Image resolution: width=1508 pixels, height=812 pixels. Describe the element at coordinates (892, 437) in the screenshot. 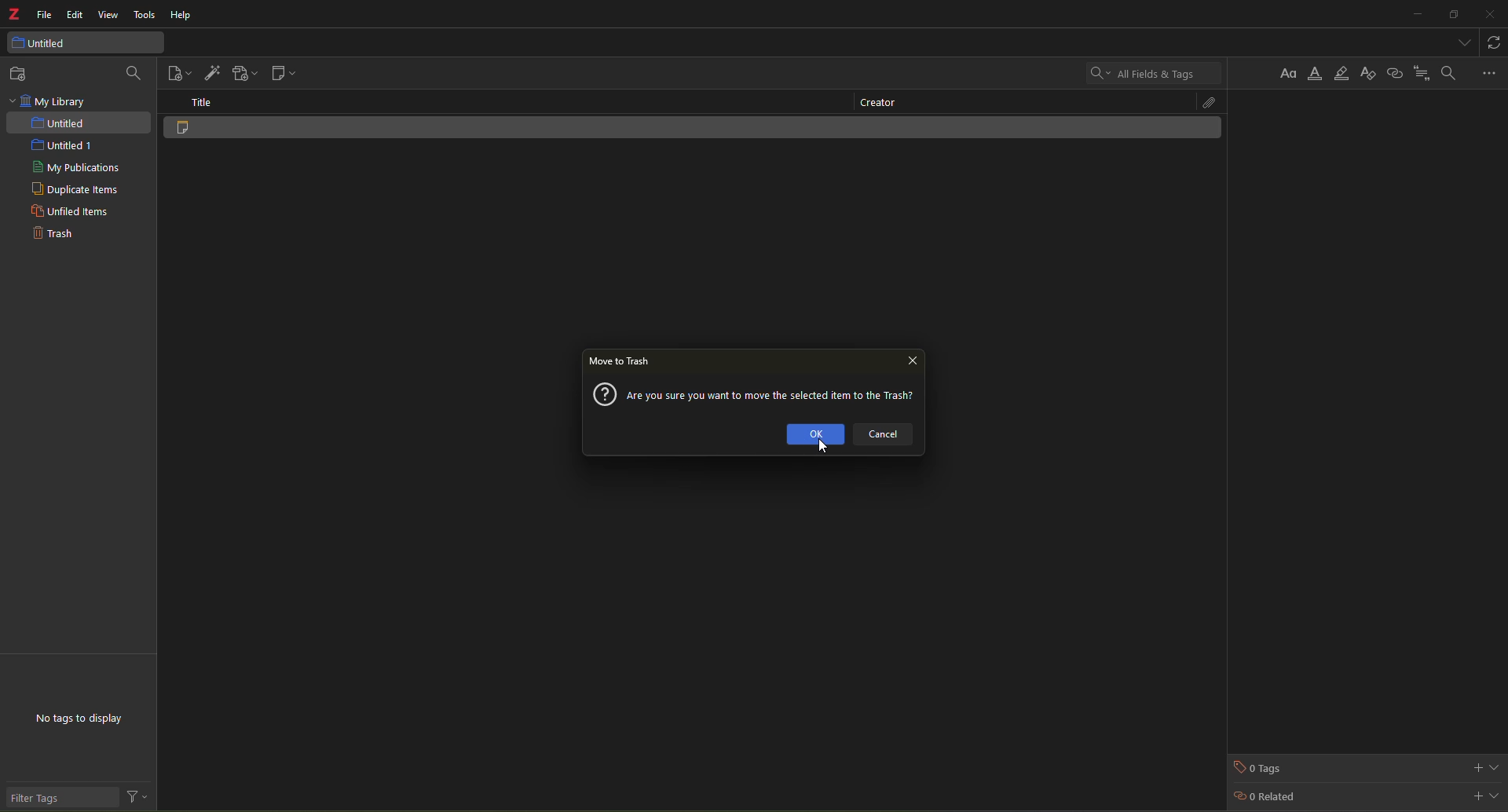

I see `cancel` at that location.